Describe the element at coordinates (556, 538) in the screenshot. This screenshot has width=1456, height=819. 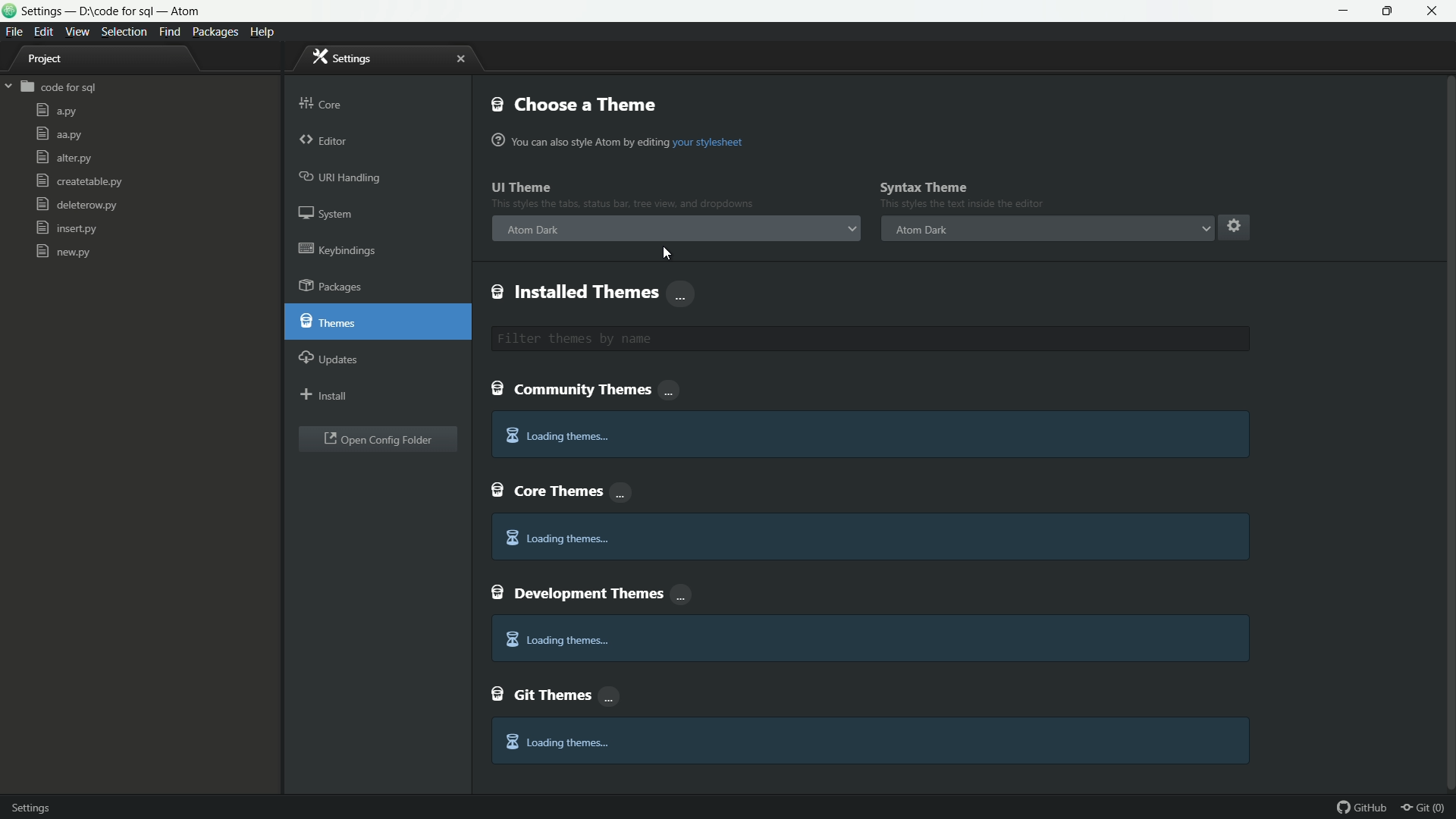
I see `loading themes` at that location.